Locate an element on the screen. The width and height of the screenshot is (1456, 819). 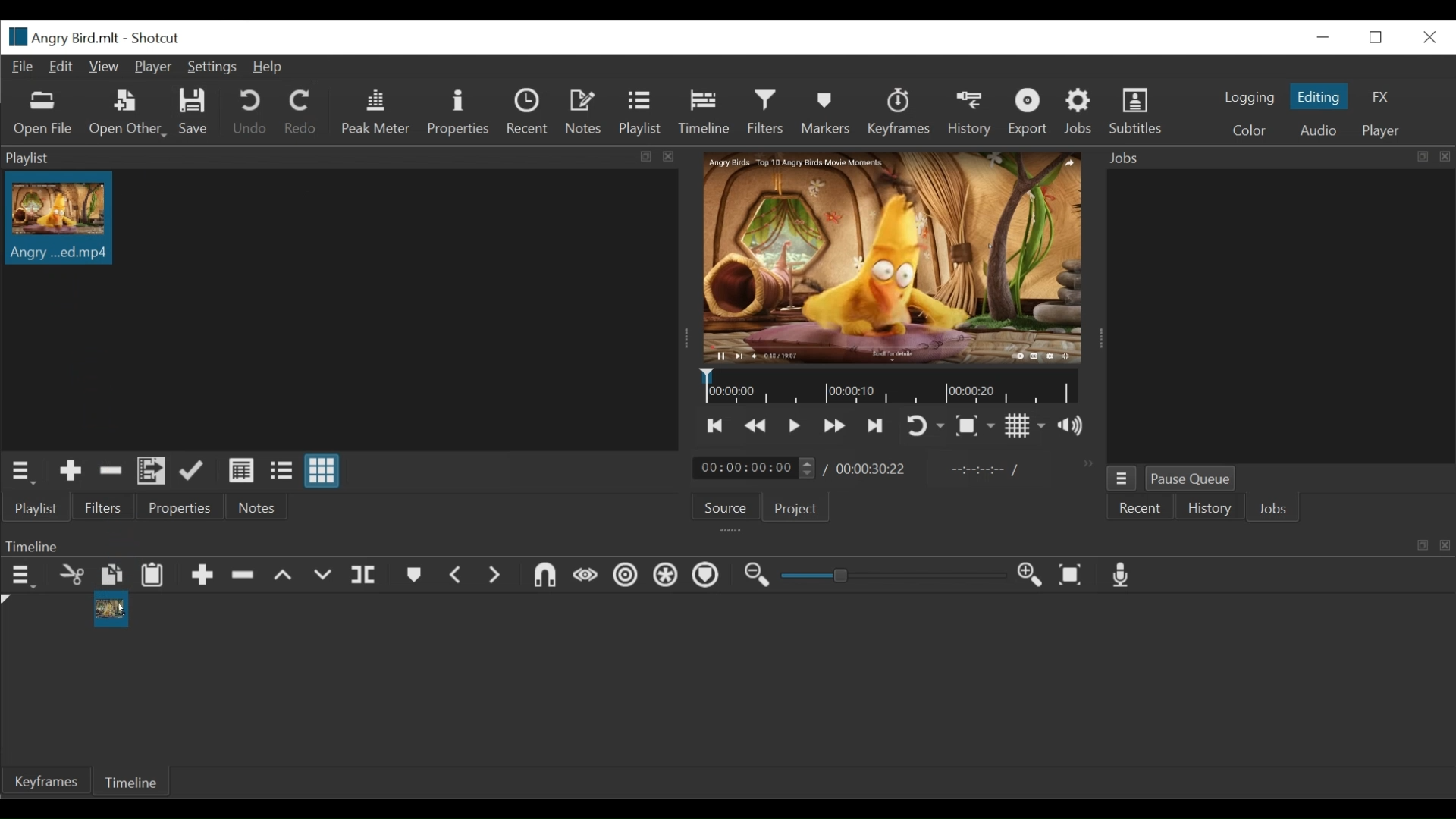
In point is located at coordinates (984, 470).